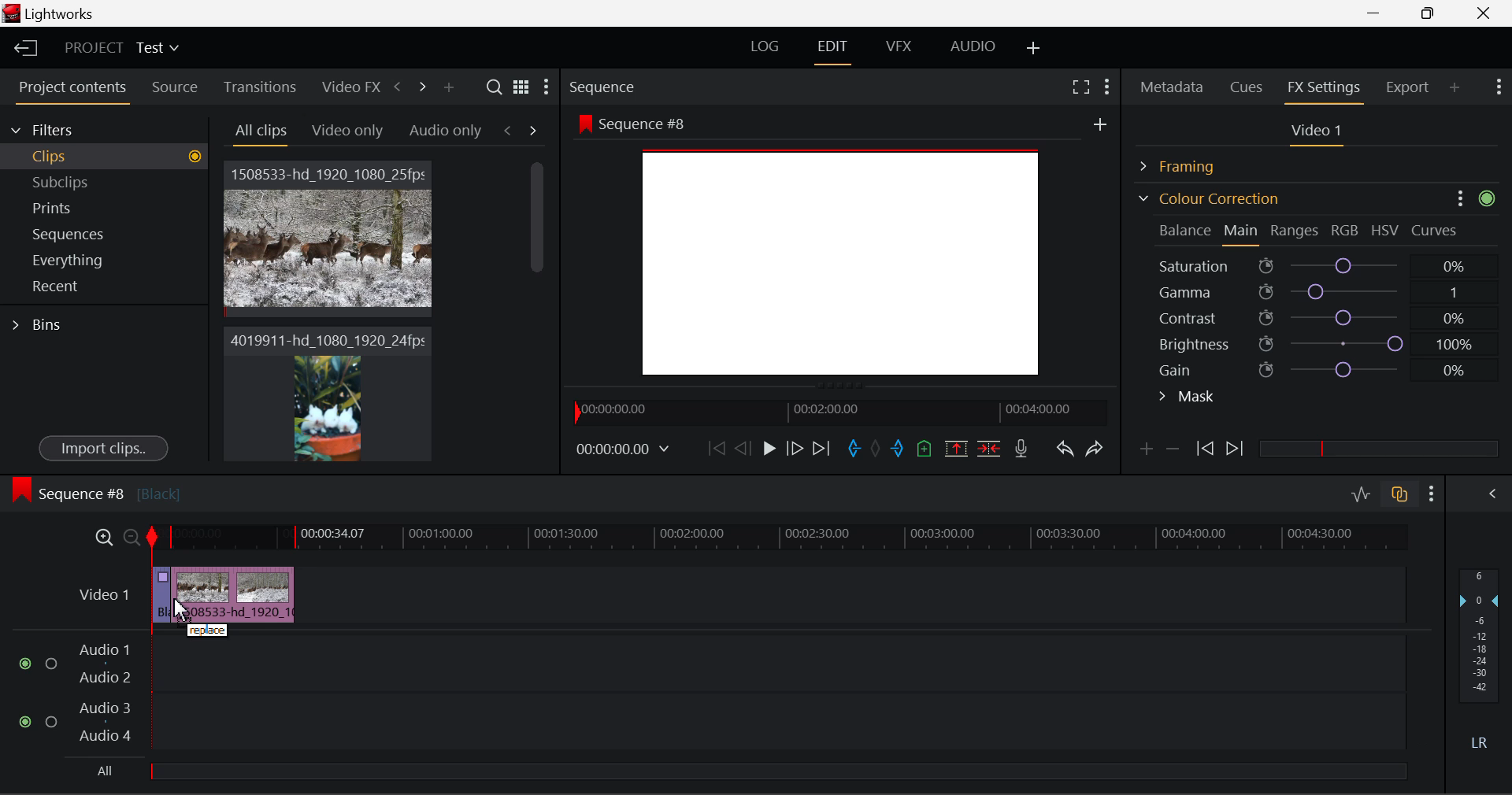  What do you see at coordinates (1379, 13) in the screenshot?
I see `Restore Down` at bounding box center [1379, 13].